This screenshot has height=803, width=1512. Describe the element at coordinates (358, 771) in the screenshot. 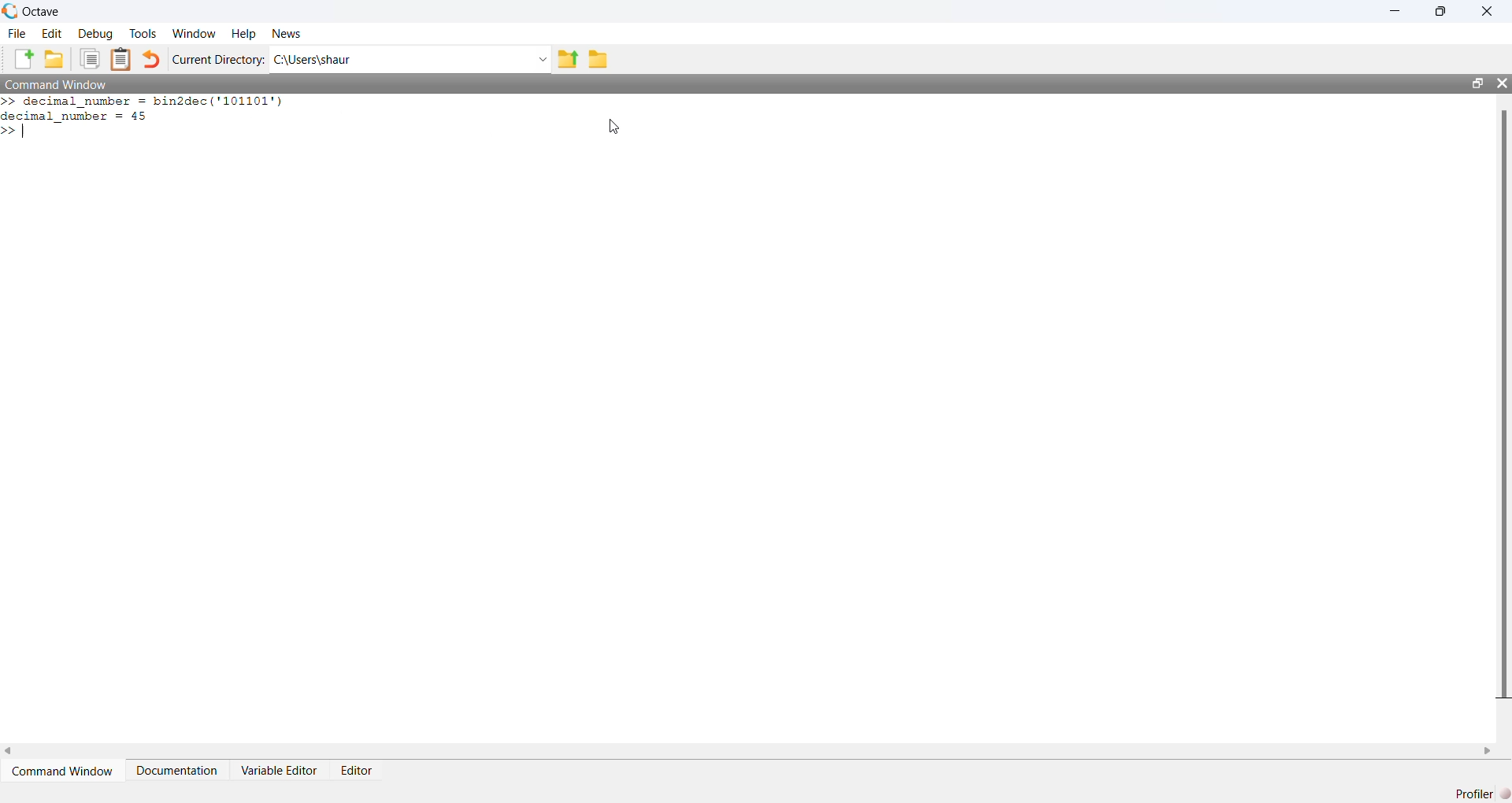

I see `Editor` at that location.